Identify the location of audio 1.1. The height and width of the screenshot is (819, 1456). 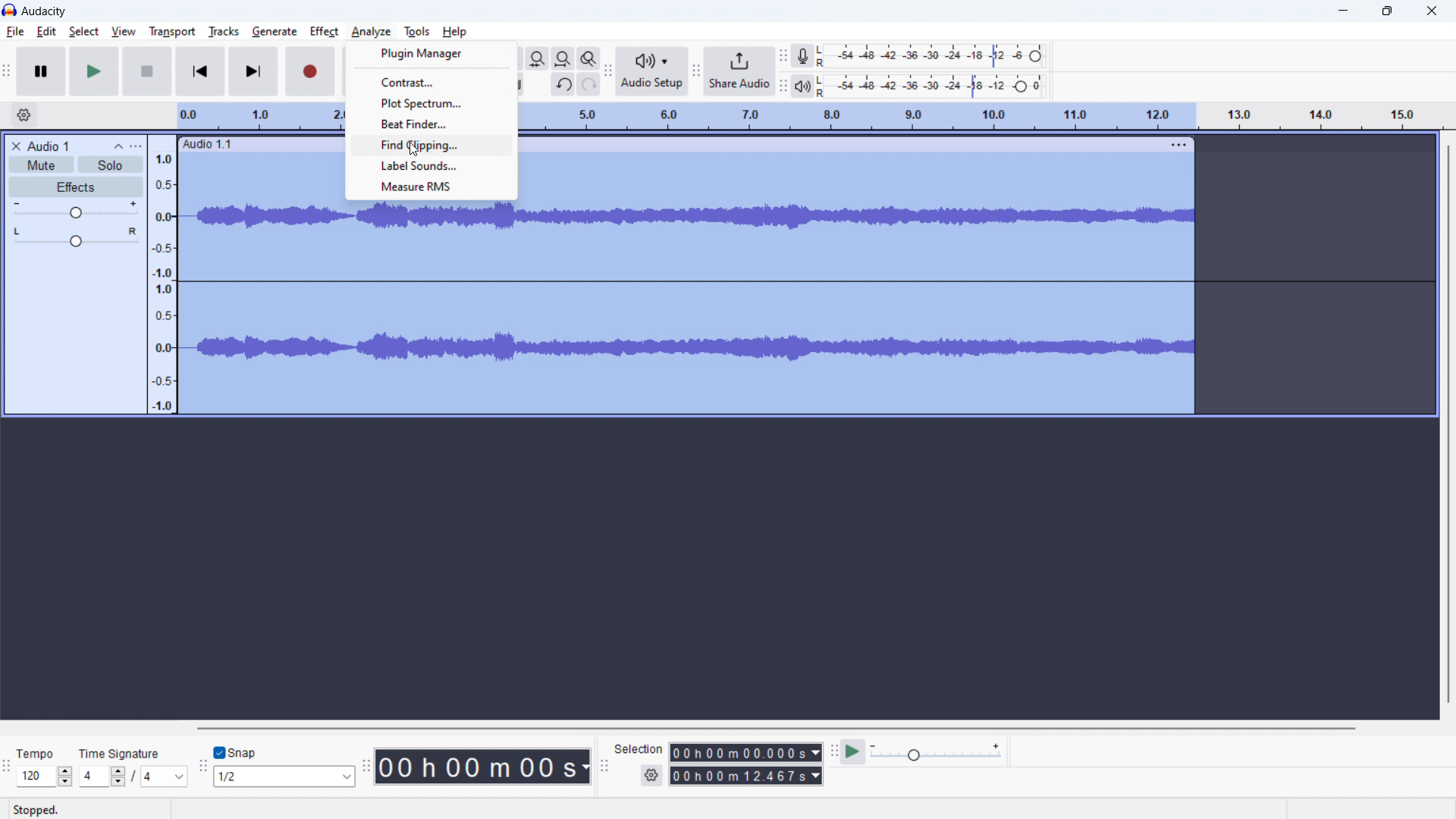
(209, 145).